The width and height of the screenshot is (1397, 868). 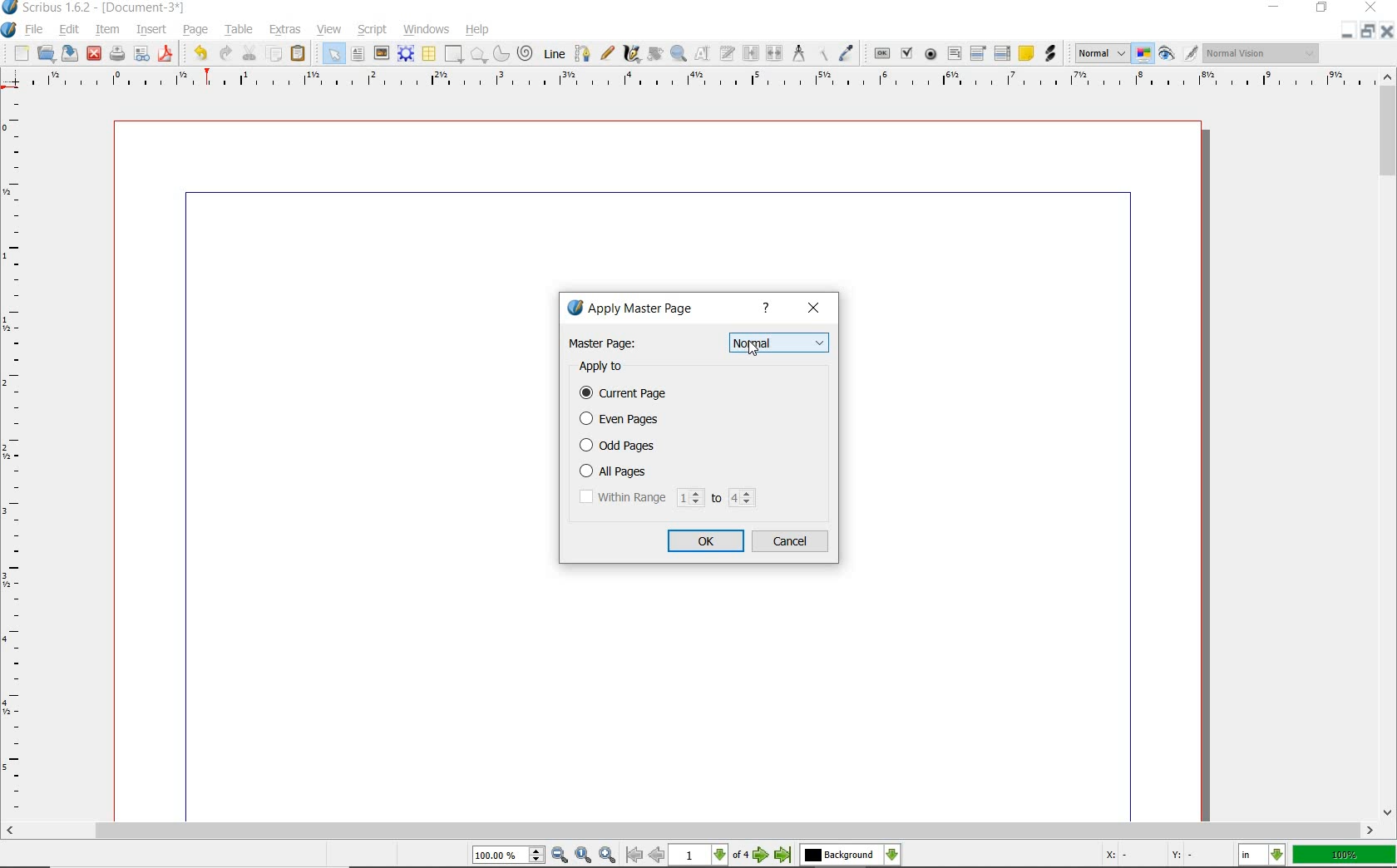 What do you see at coordinates (706, 540) in the screenshot?
I see `ok` at bounding box center [706, 540].